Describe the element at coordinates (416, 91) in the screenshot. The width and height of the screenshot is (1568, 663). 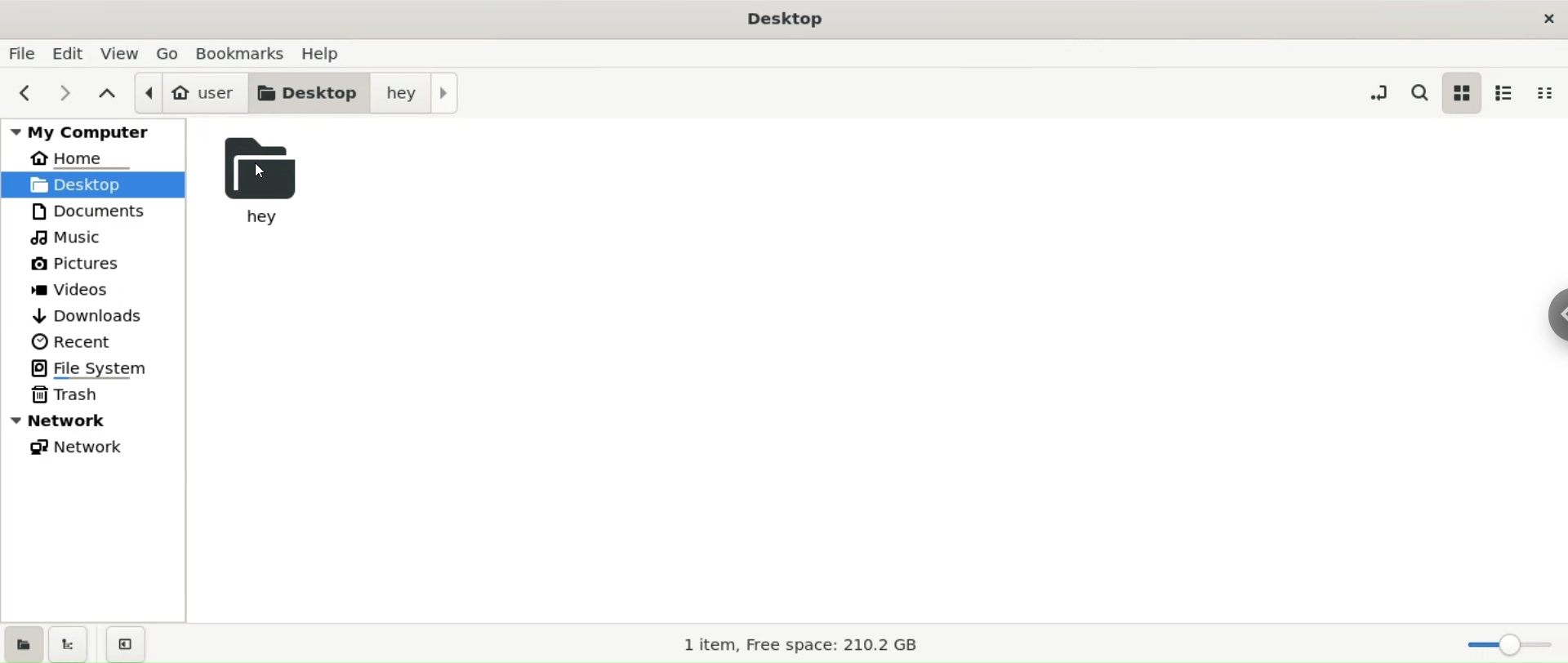
I see `hey` at that location.